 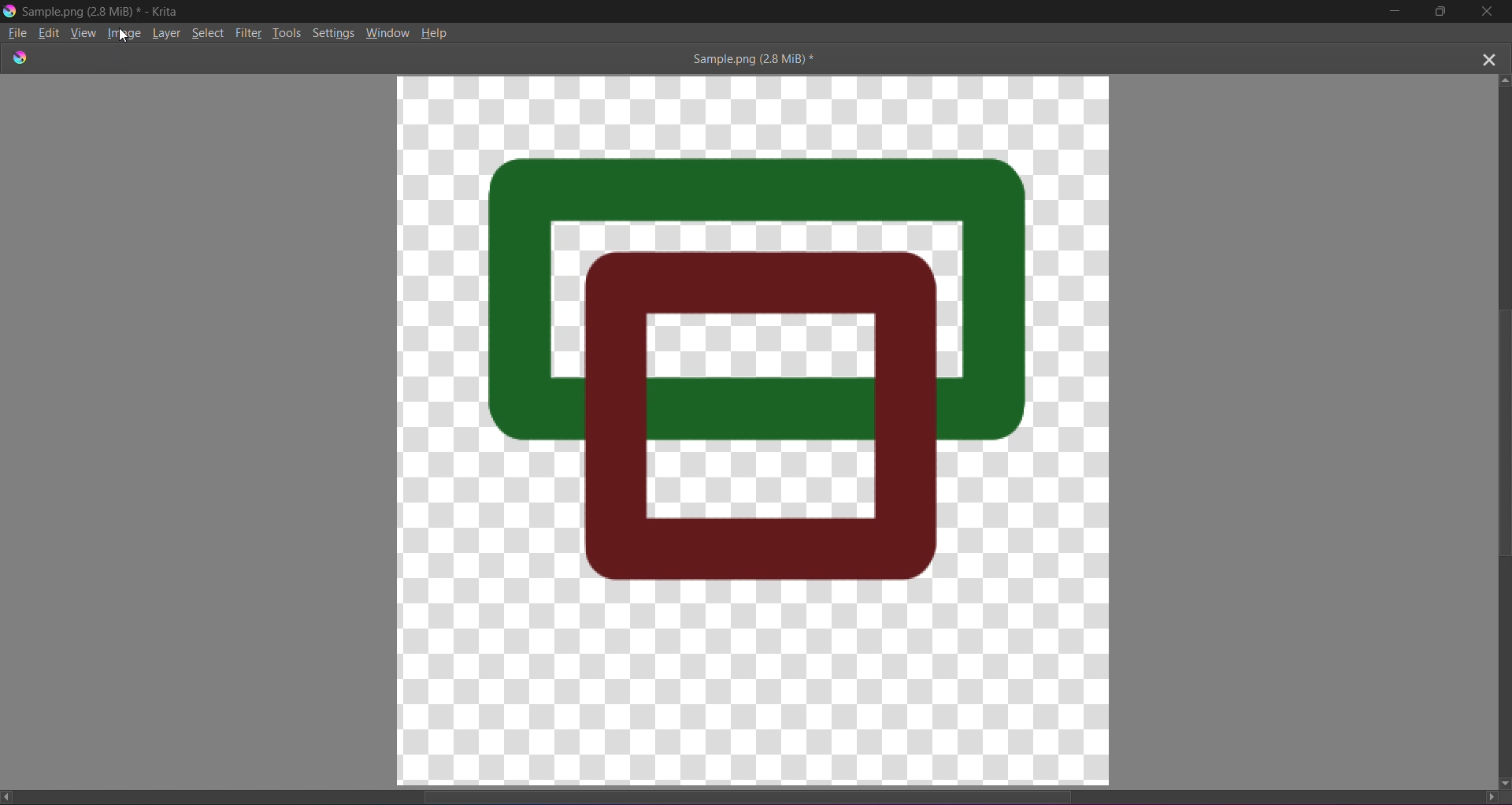 What do you see at coordinates (1488, 57) in the screenshot?
I see `Close Canvas` at bounding box center [1488, 57].